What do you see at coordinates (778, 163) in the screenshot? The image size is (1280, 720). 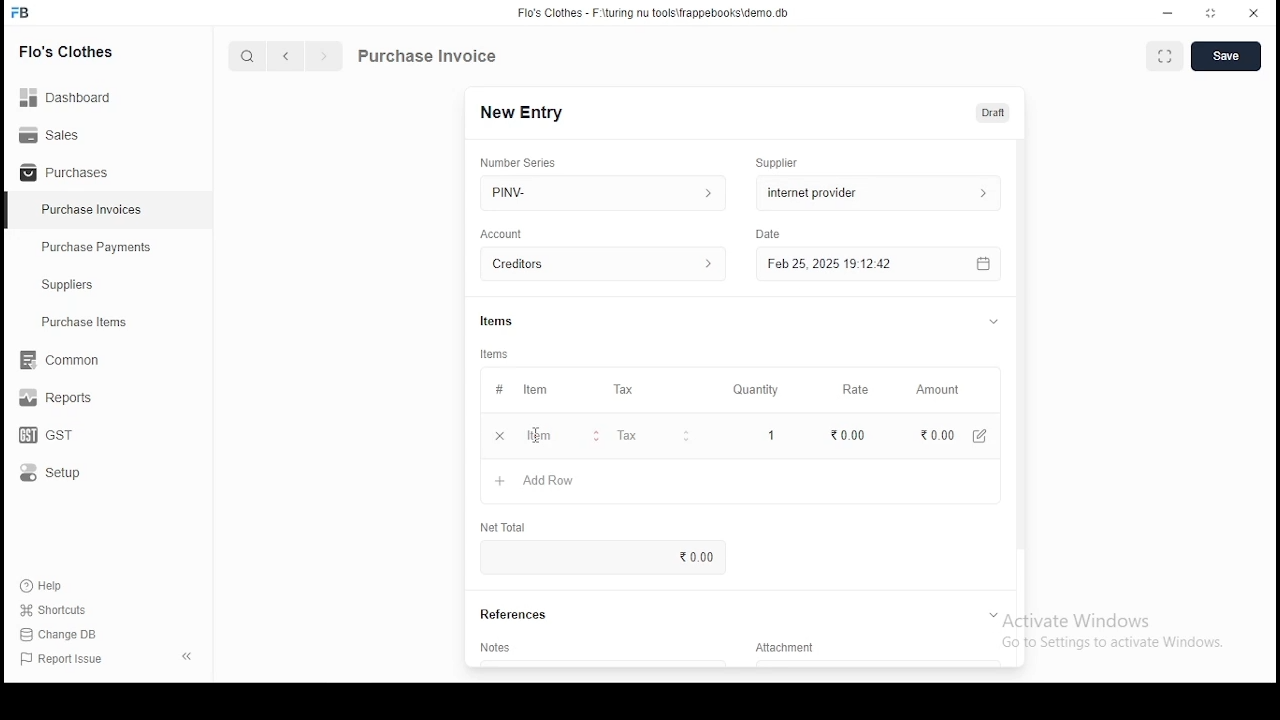 I see `Supplier` at bounding box center [778, 163].